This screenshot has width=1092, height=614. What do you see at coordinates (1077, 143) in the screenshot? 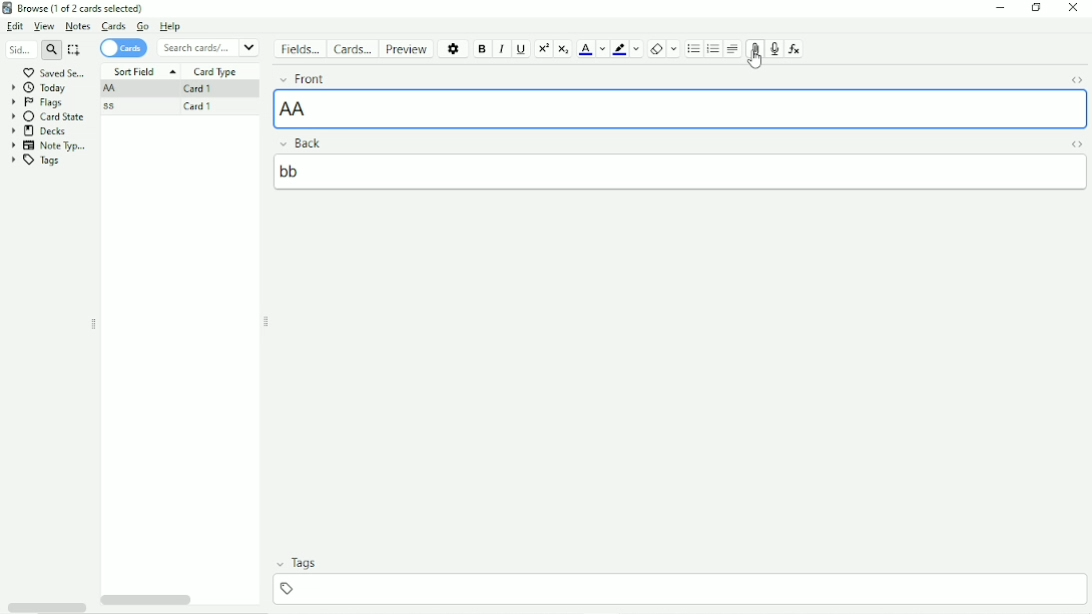
I see `Toggle HTML Editor` at bounding box center [1077, 143].